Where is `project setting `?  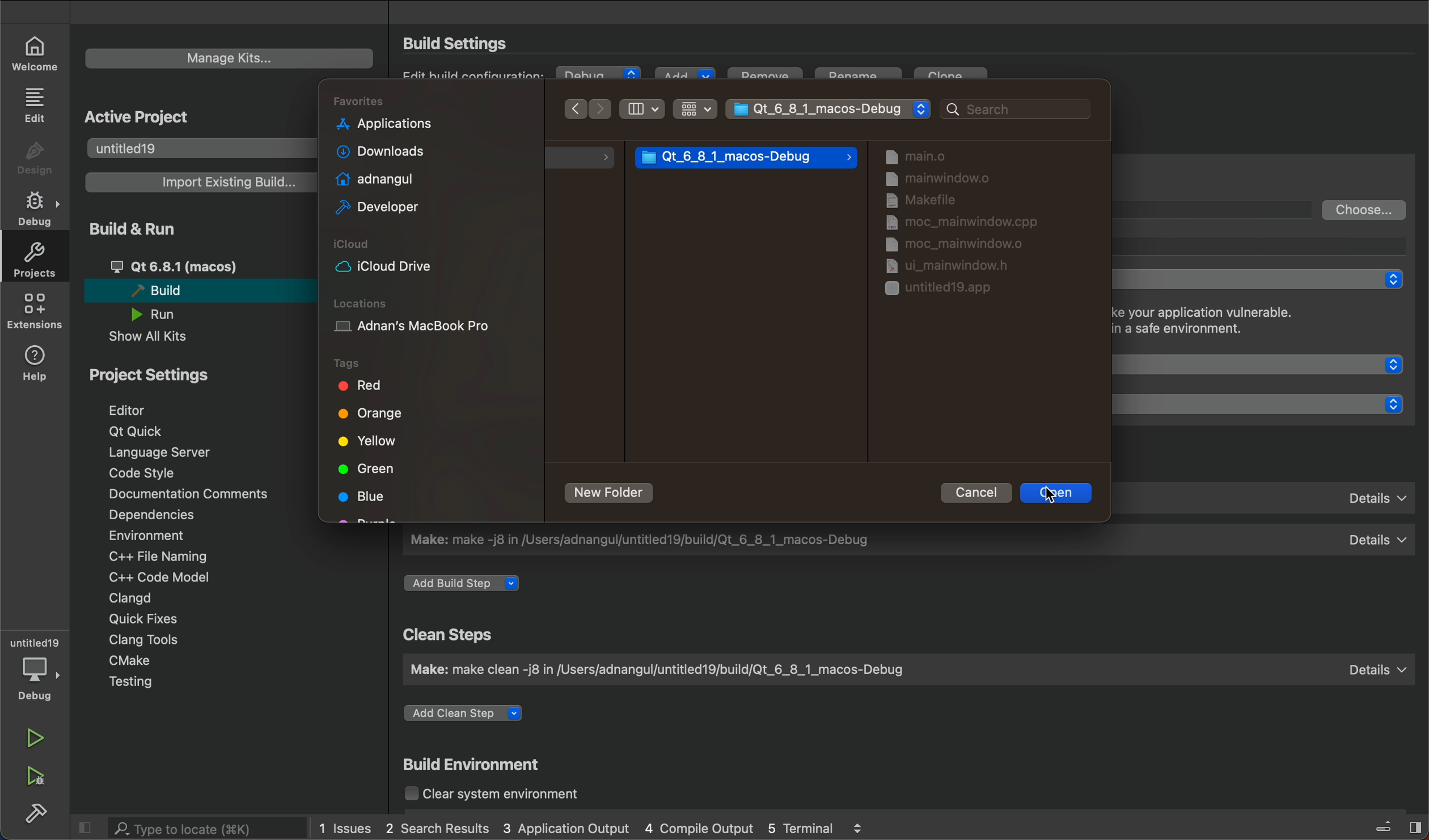
project setting  is located at coordinates (173, 374).